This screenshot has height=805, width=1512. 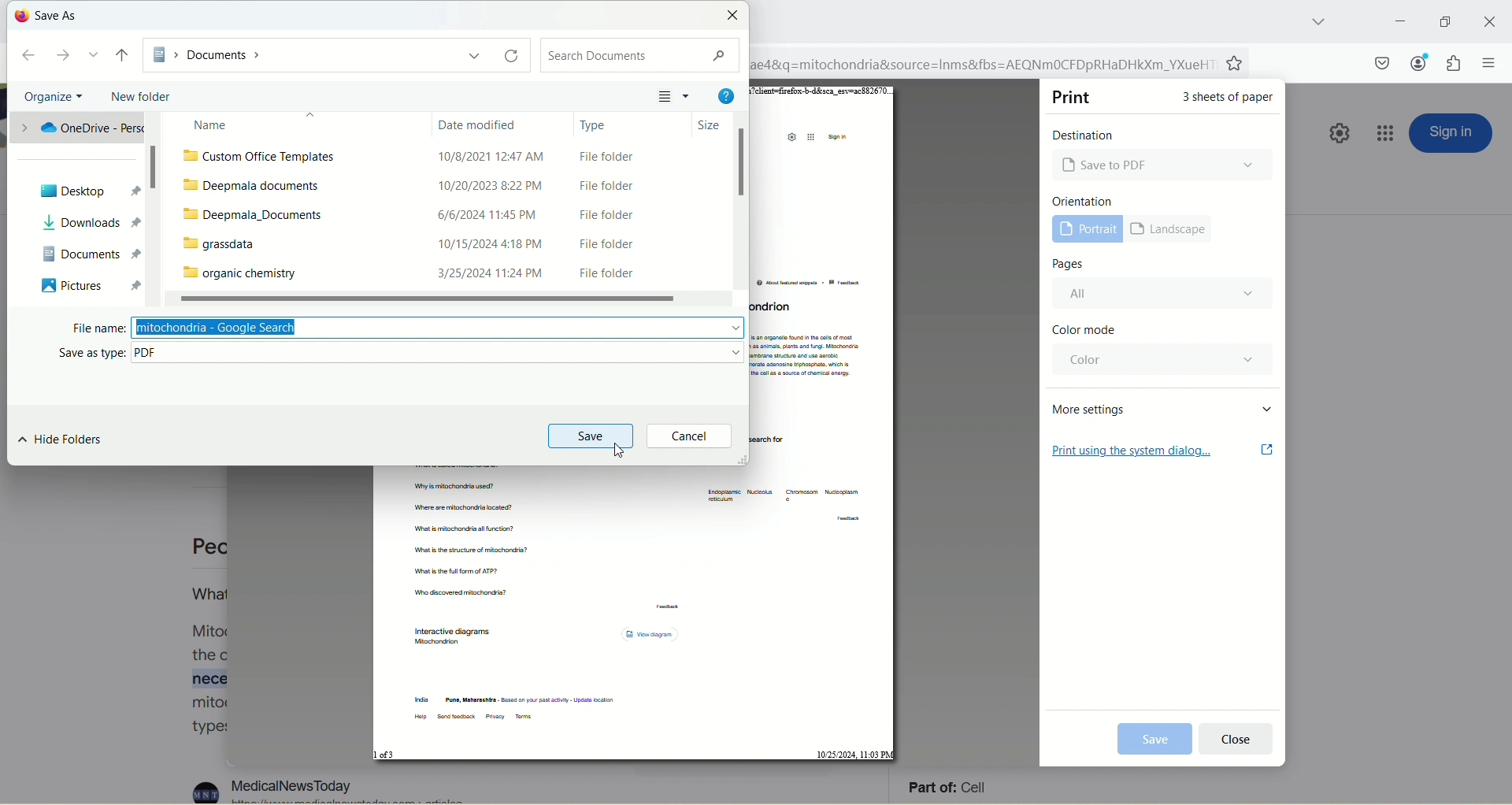 What do you see at coordinates (1167, 294) in the screenshot?
I see `all` at bounding box center [1167, 294].